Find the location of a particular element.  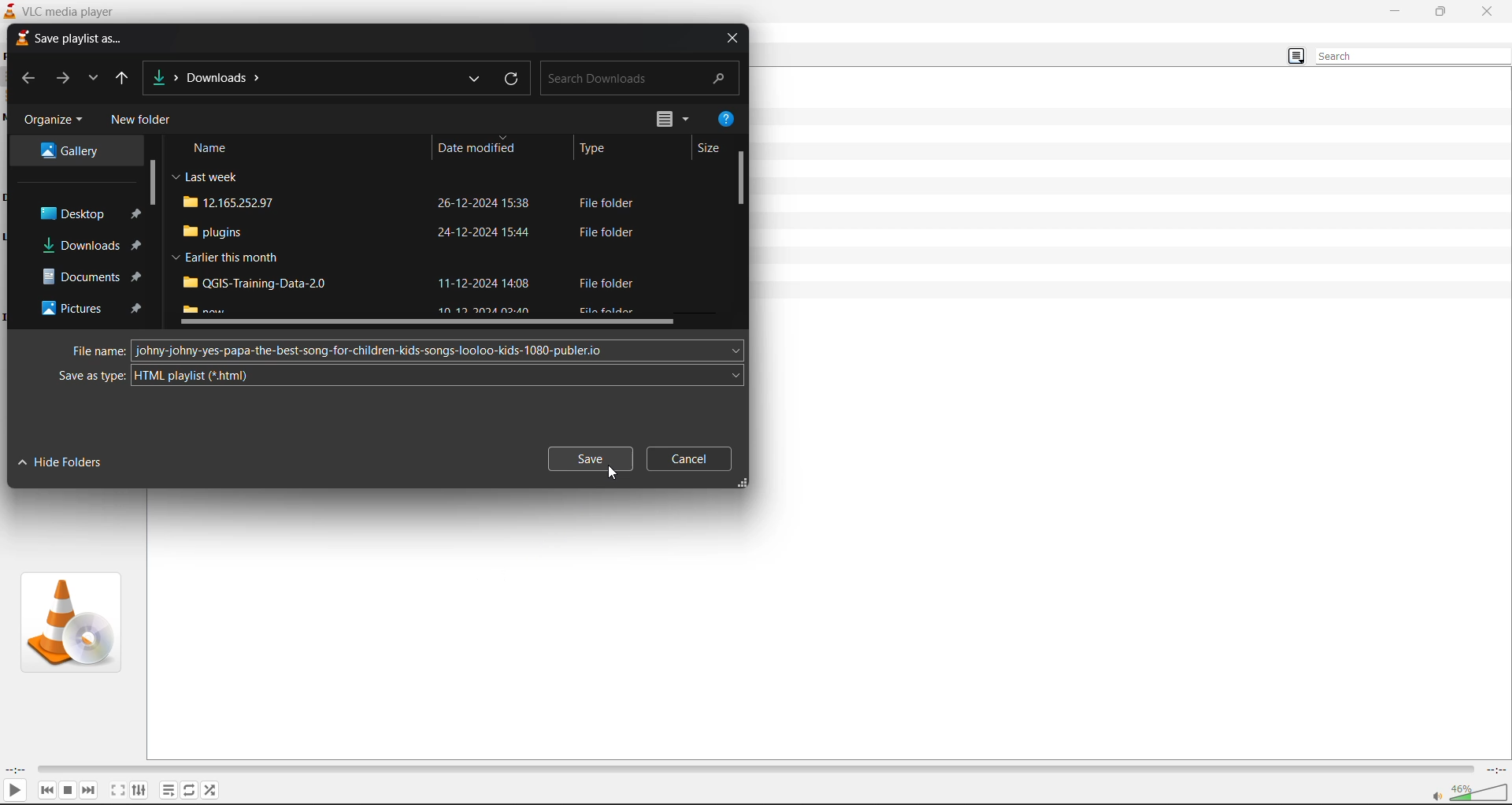

select save as type is located at coordinates (439, 377).